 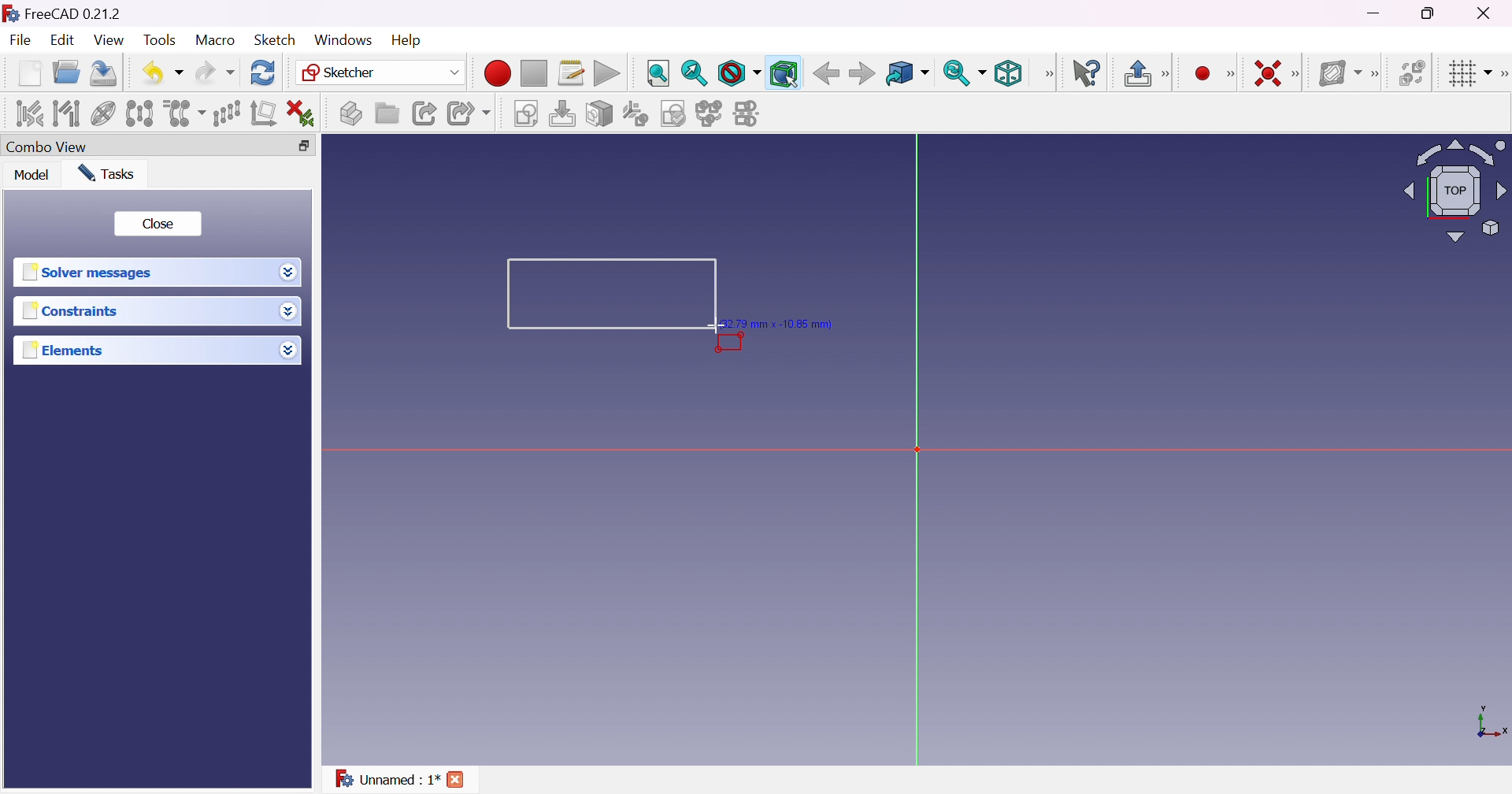 I want to click on Drop down, so click(x=288, y=310).